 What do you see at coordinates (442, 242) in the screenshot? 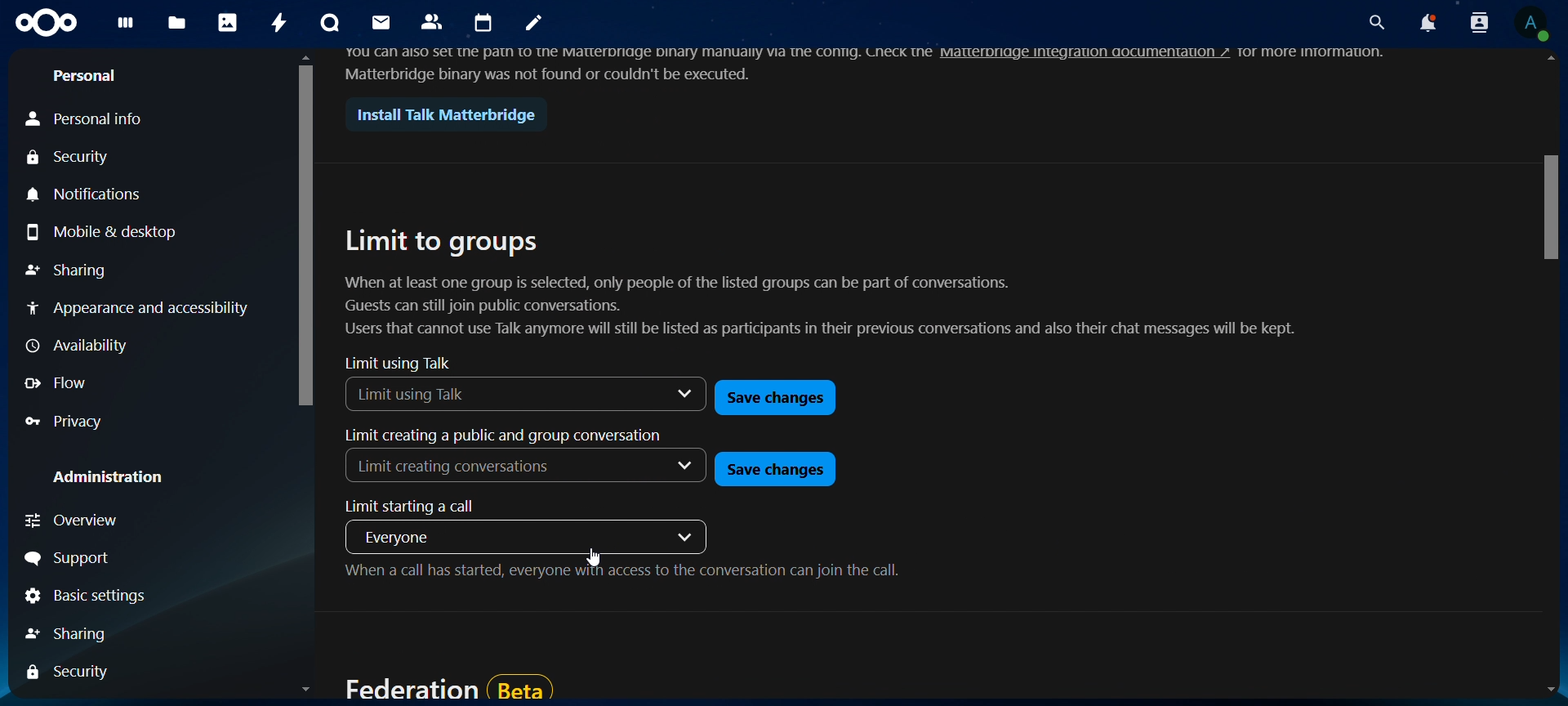
I see `limit to groups` at bounding box center [442, 242].